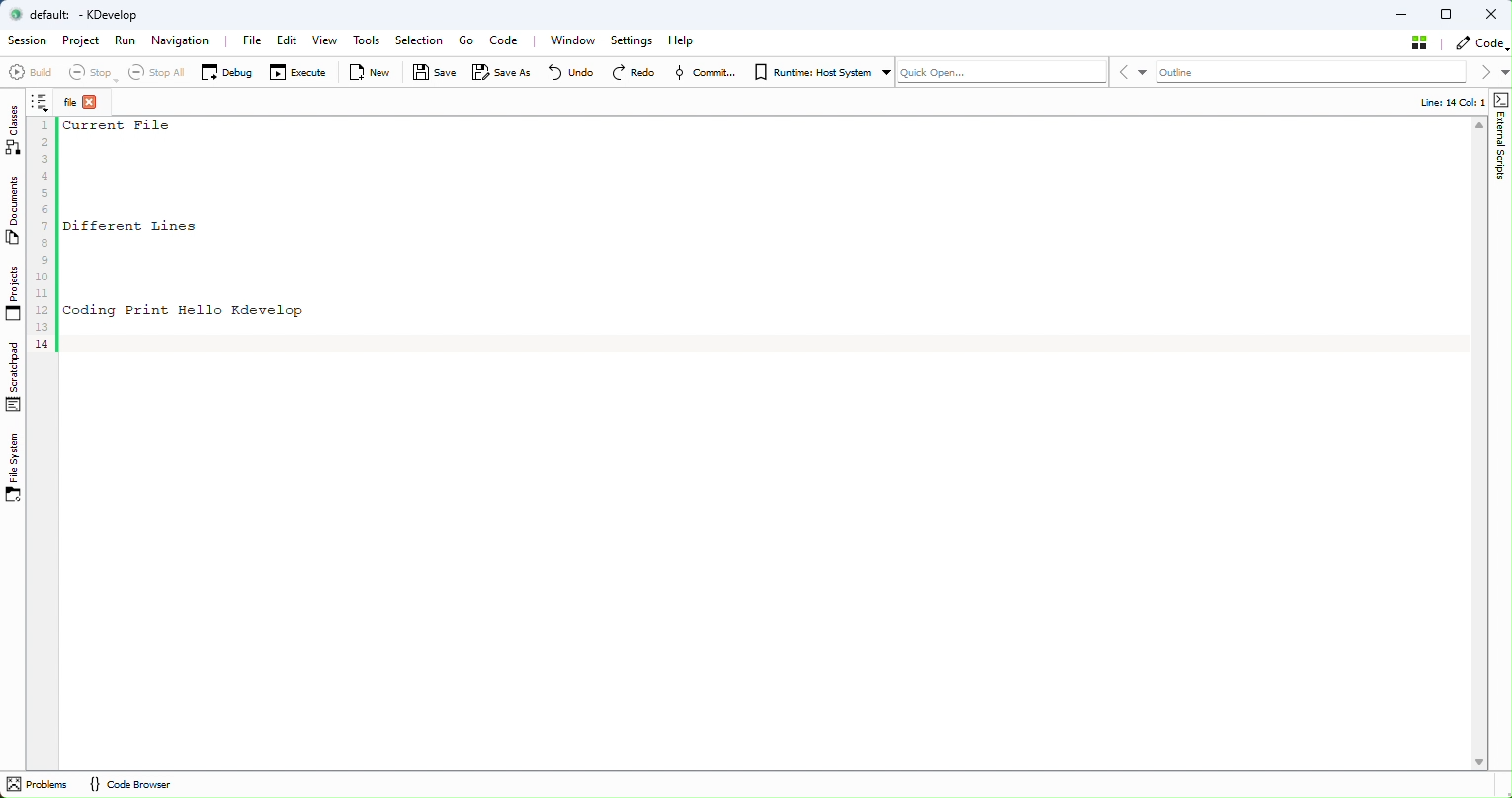 This screenshot has width=1512, height=798. I want to click on Redo, so click(636, 72).